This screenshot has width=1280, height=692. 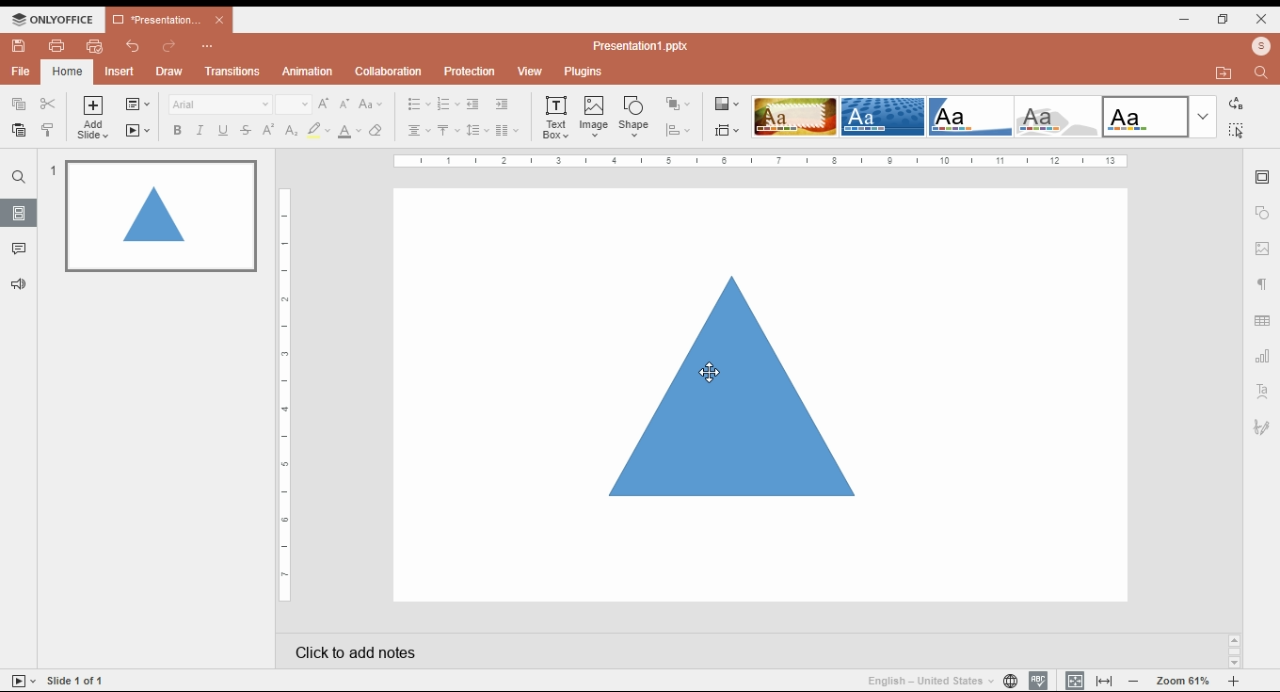 I want to click on restore, so click(x=1224, y=19).